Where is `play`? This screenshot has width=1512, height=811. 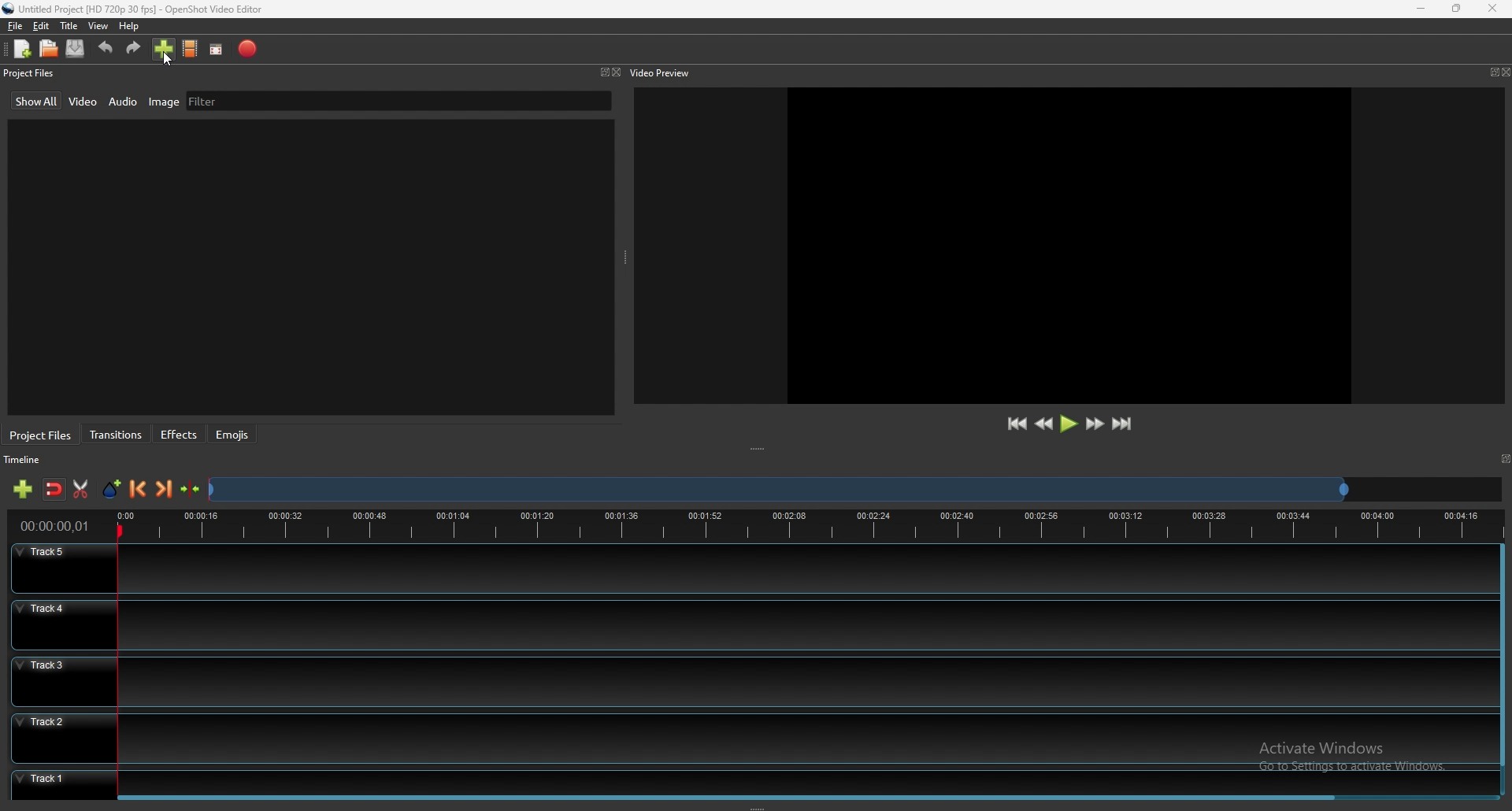 play is located at coordinates (1069, 423).